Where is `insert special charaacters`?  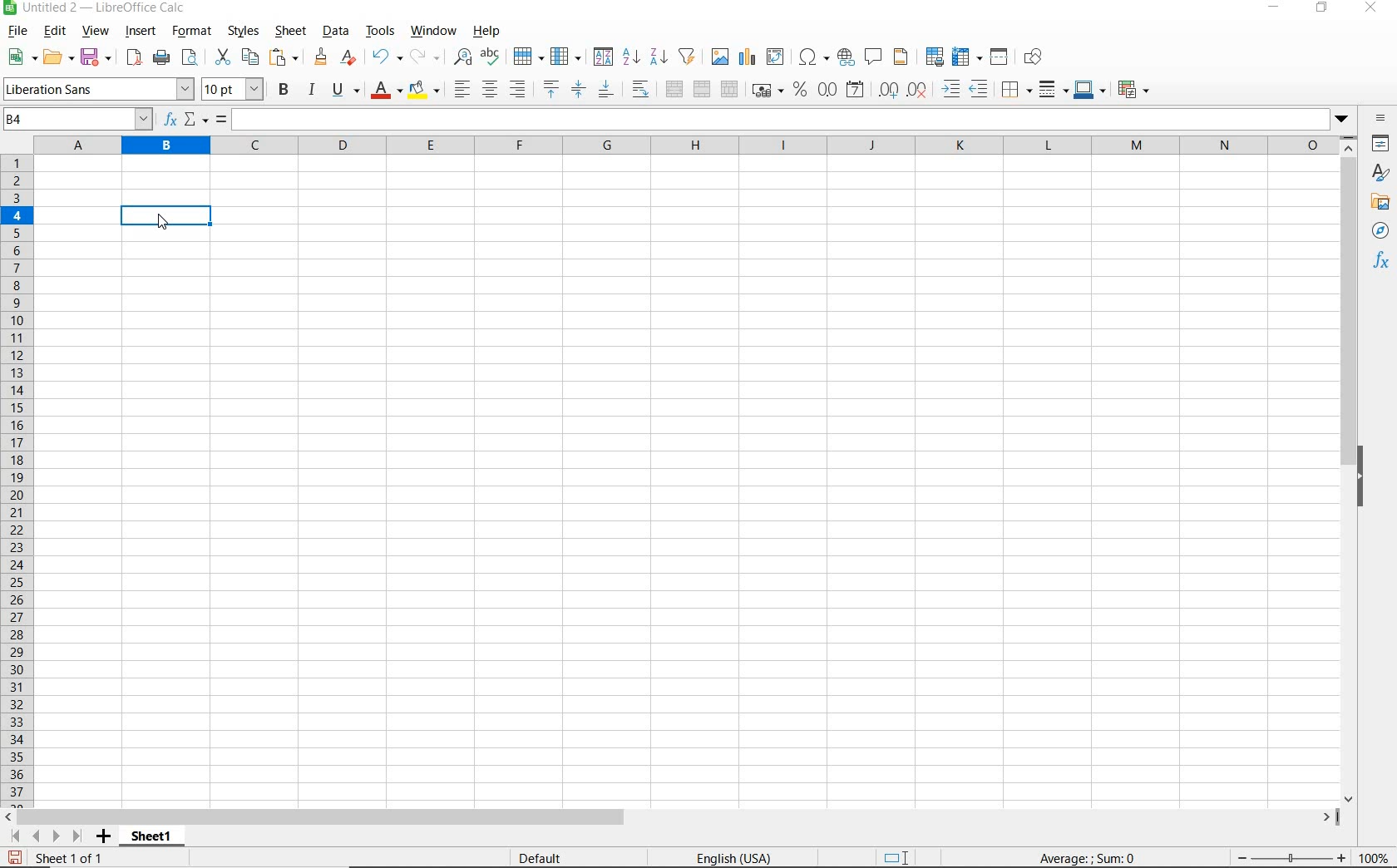 insert special charaacters is located at coordinates (813, 57).